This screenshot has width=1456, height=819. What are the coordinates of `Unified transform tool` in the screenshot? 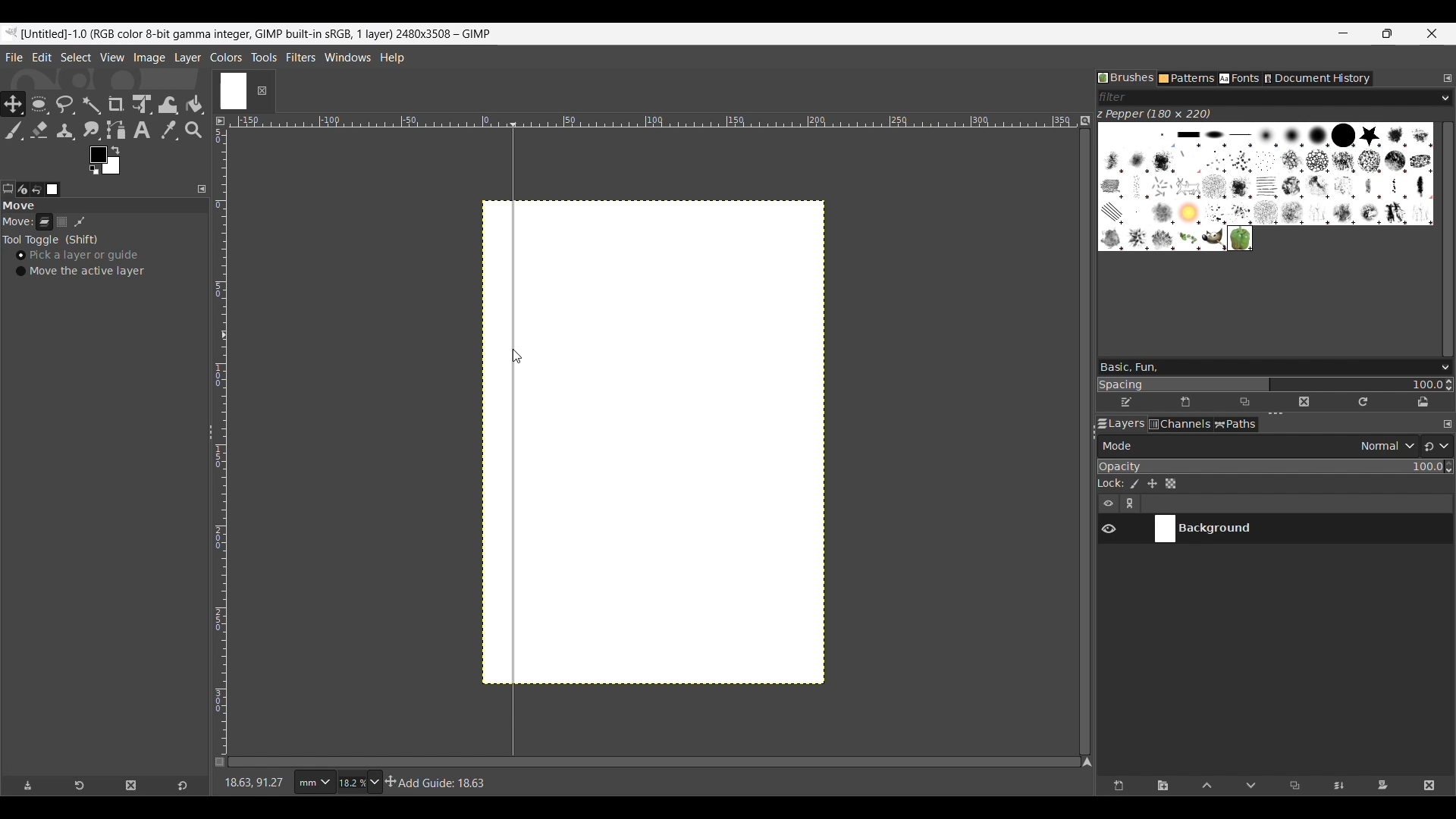 It's located at (141, 104).